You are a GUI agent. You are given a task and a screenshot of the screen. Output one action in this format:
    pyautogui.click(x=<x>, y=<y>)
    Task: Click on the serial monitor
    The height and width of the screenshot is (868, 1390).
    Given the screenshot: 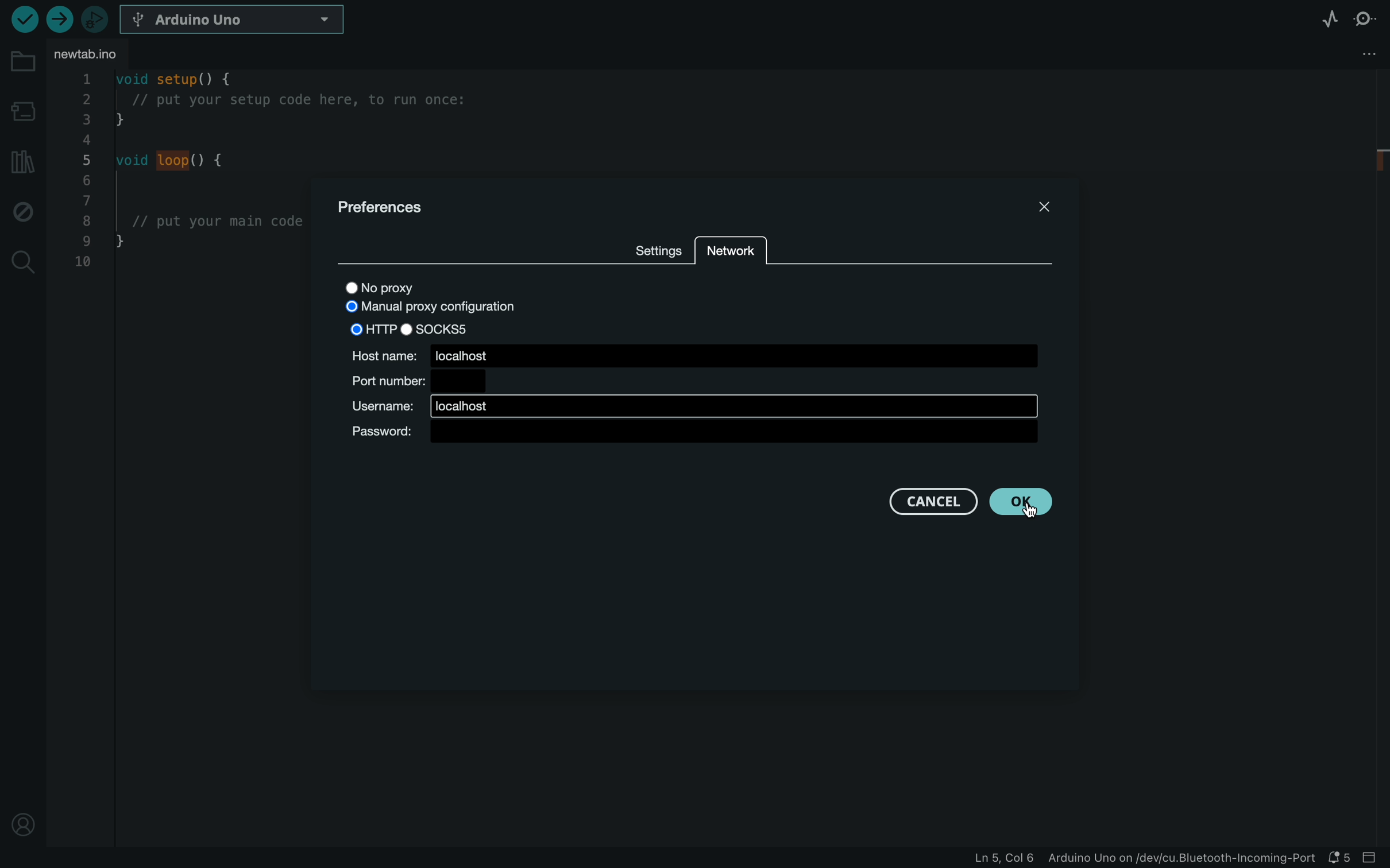 What is the action you would take?
    pyautogui.click(x=1365, y=23)
    